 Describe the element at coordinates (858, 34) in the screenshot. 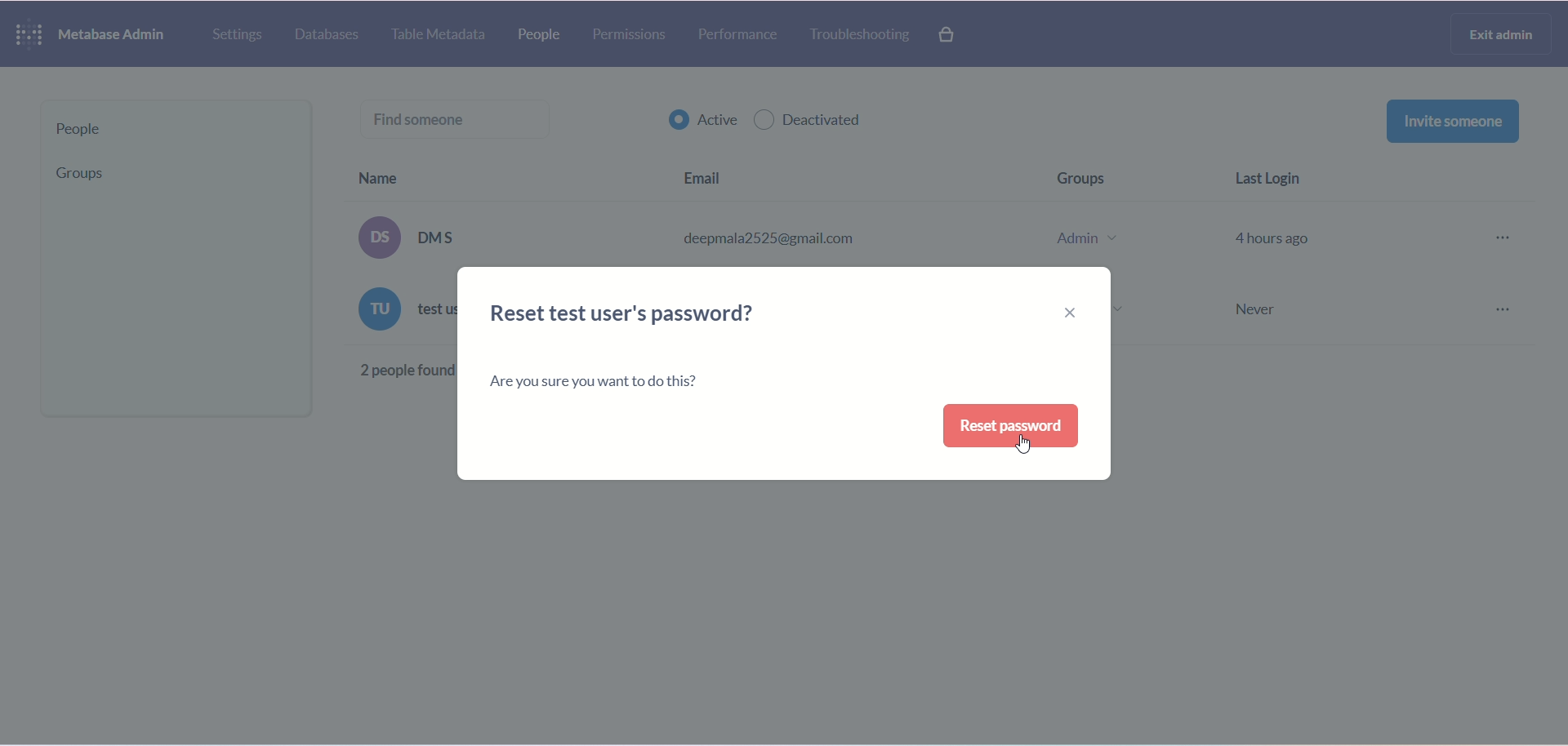

I see `troubleshooting` at that location.